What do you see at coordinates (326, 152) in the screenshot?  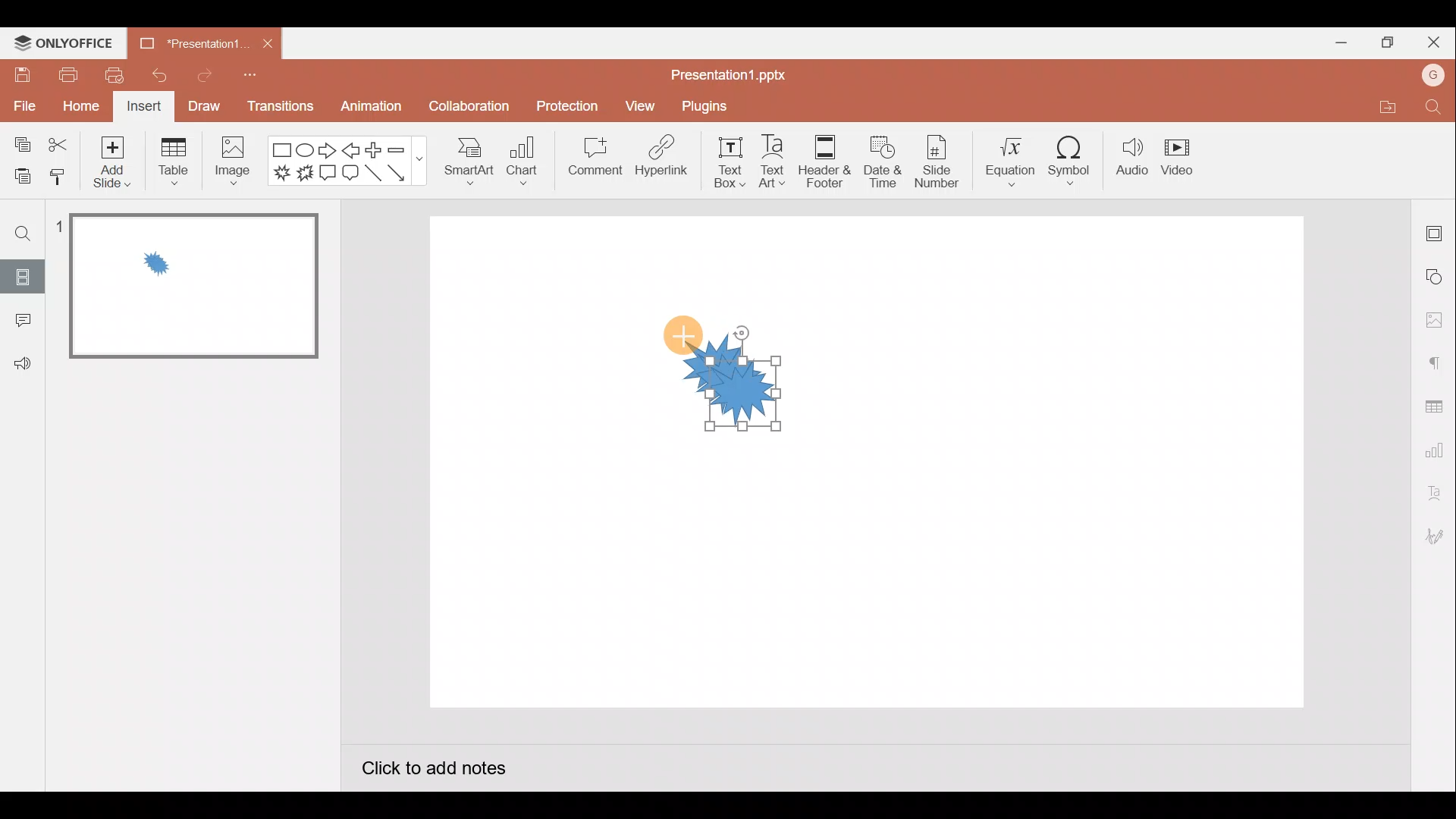 I see `Right arrow` at bounding box center [326, 152].